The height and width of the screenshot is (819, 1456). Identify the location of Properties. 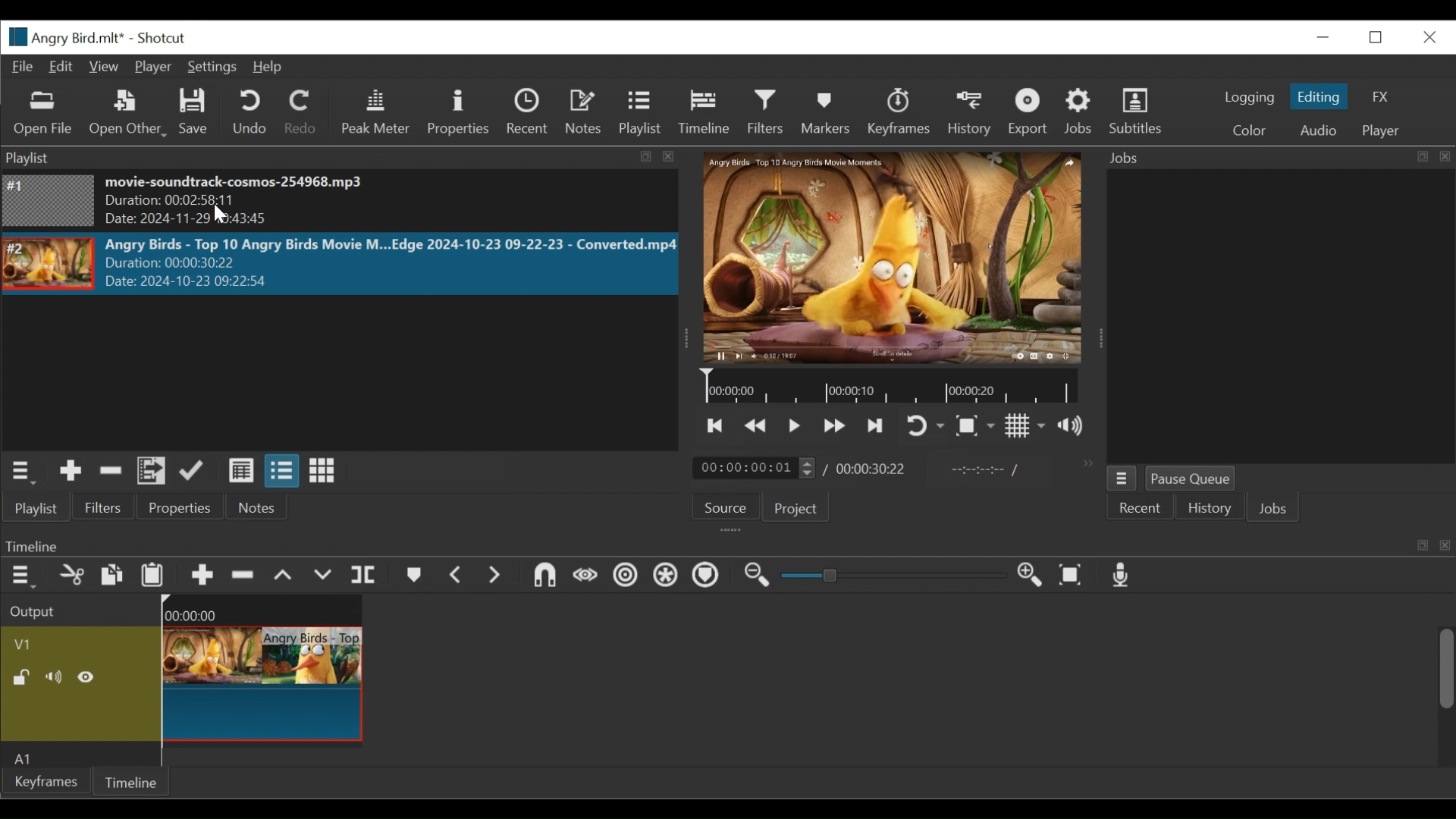
(458, 111).